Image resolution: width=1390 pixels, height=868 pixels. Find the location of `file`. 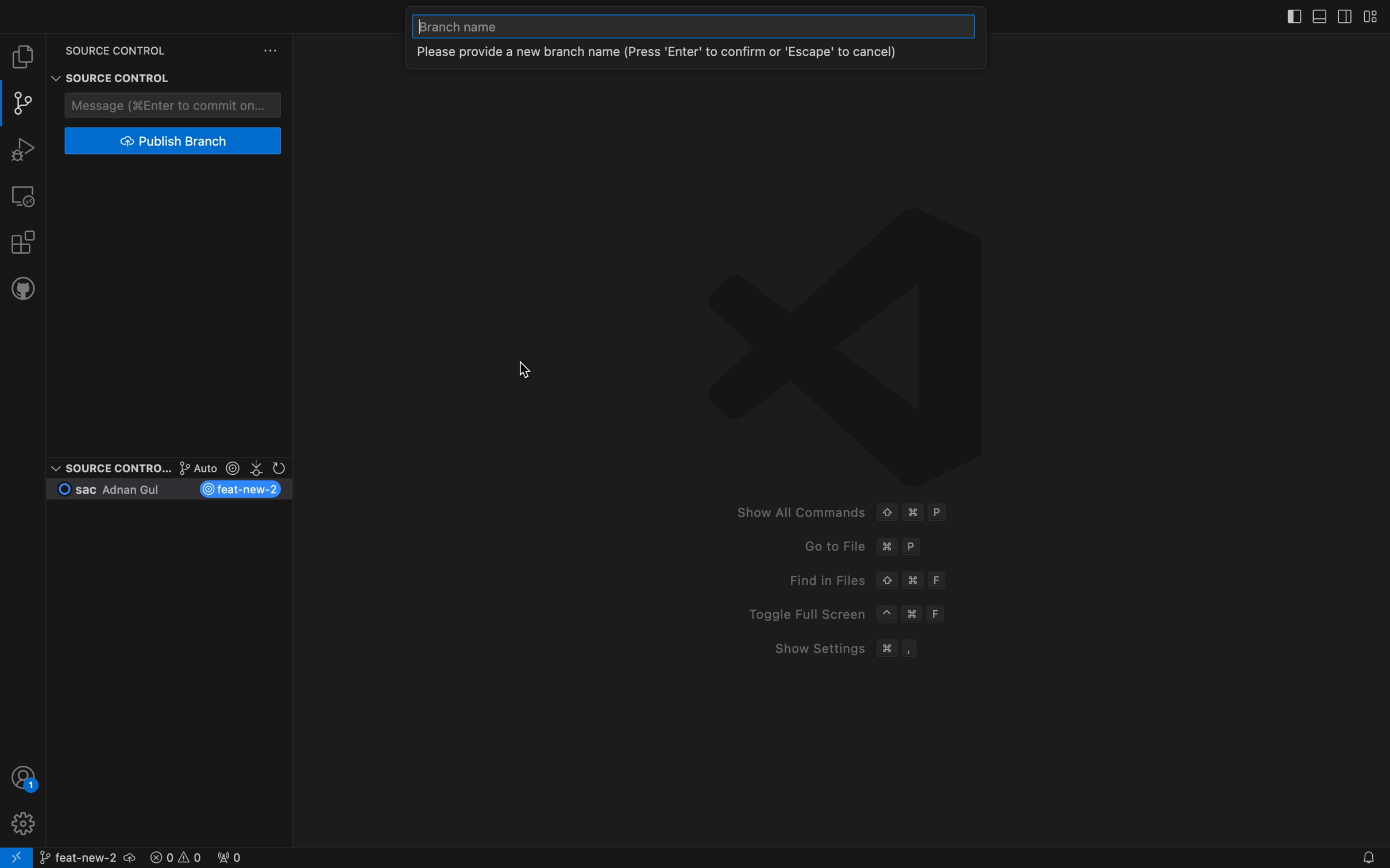

file is located at coordinates (23, 57).